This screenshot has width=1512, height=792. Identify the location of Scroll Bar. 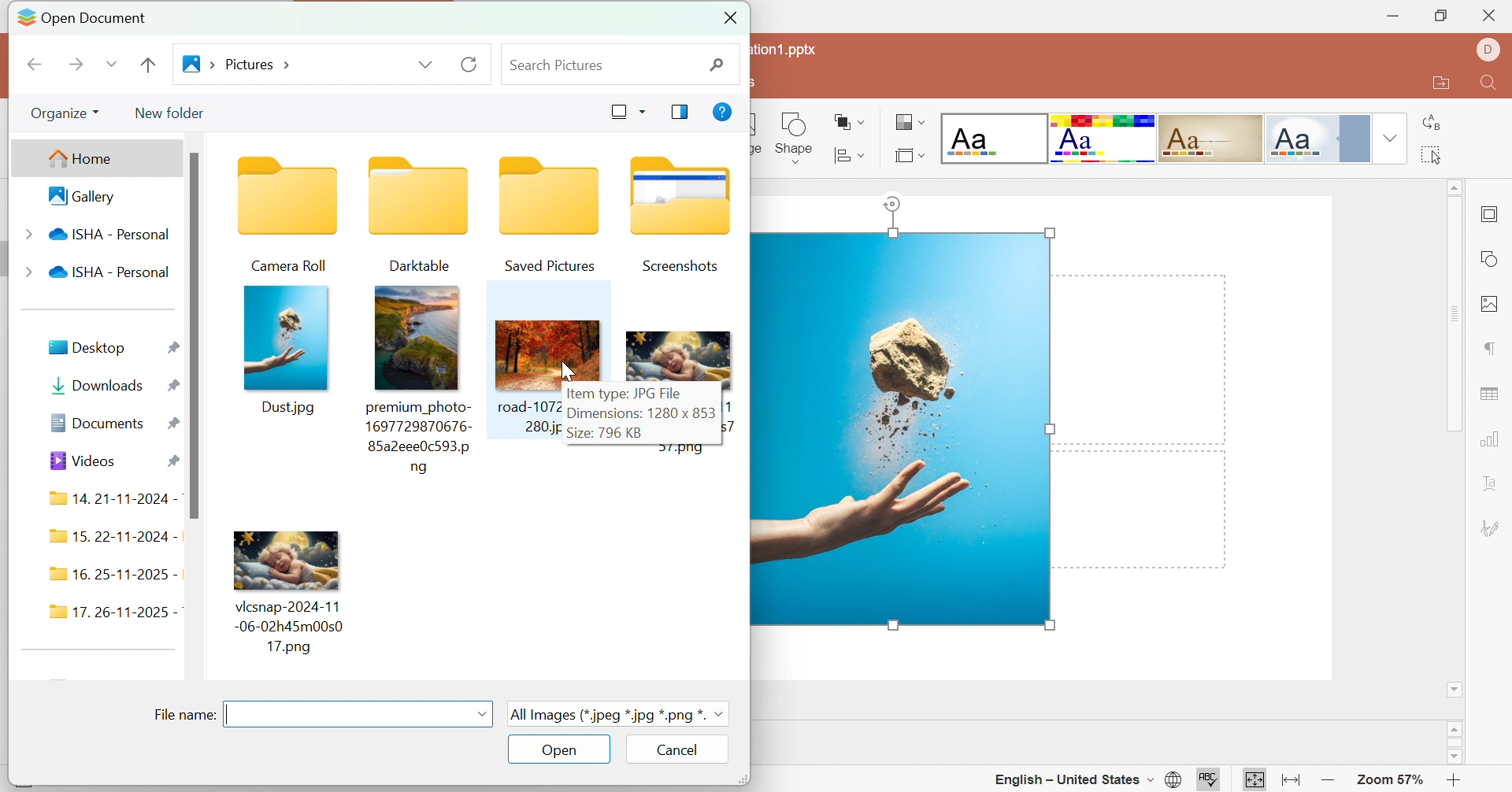
(1455, 313).